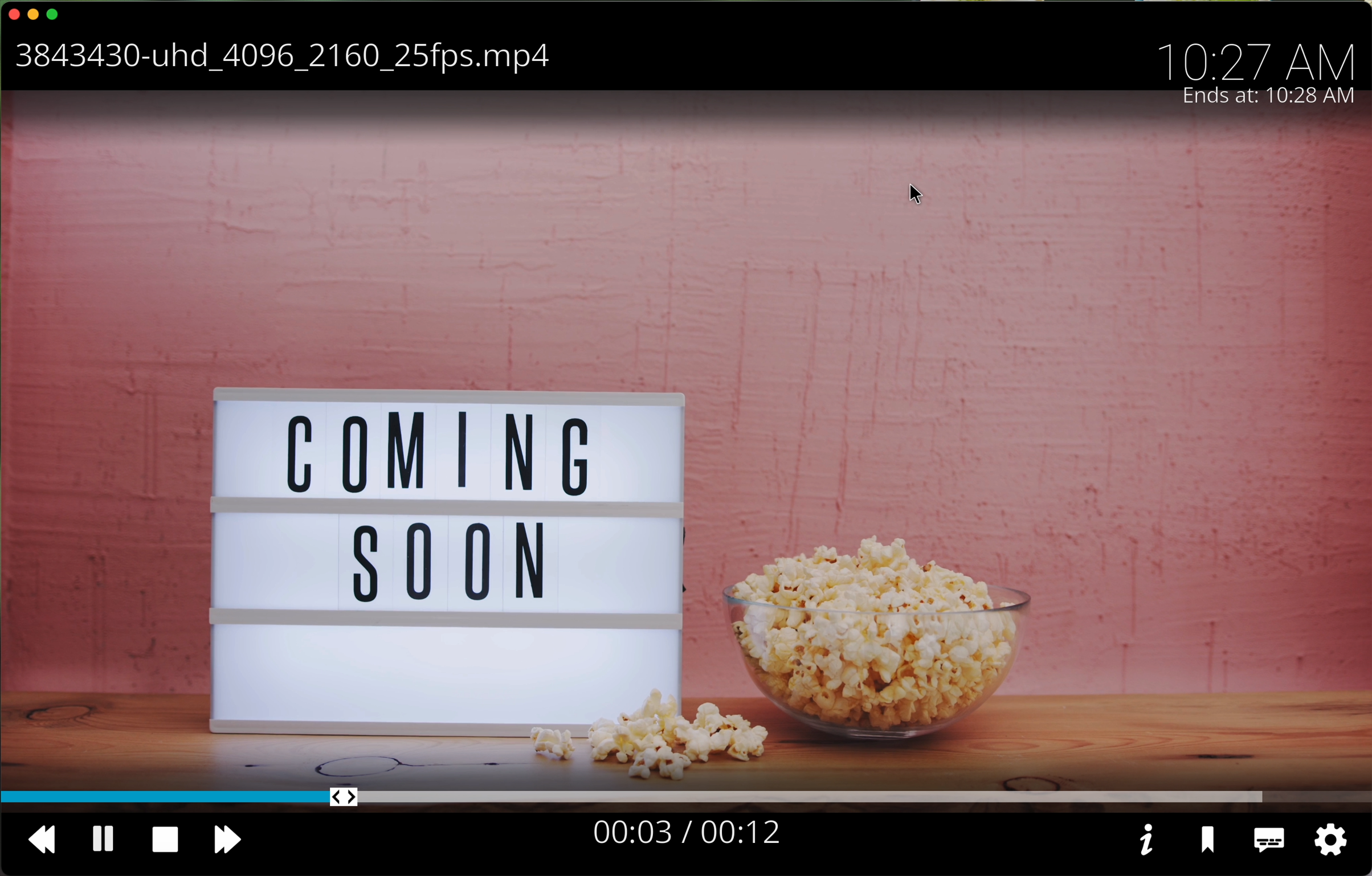  I want to click on subtitles, so click(1270, 842).